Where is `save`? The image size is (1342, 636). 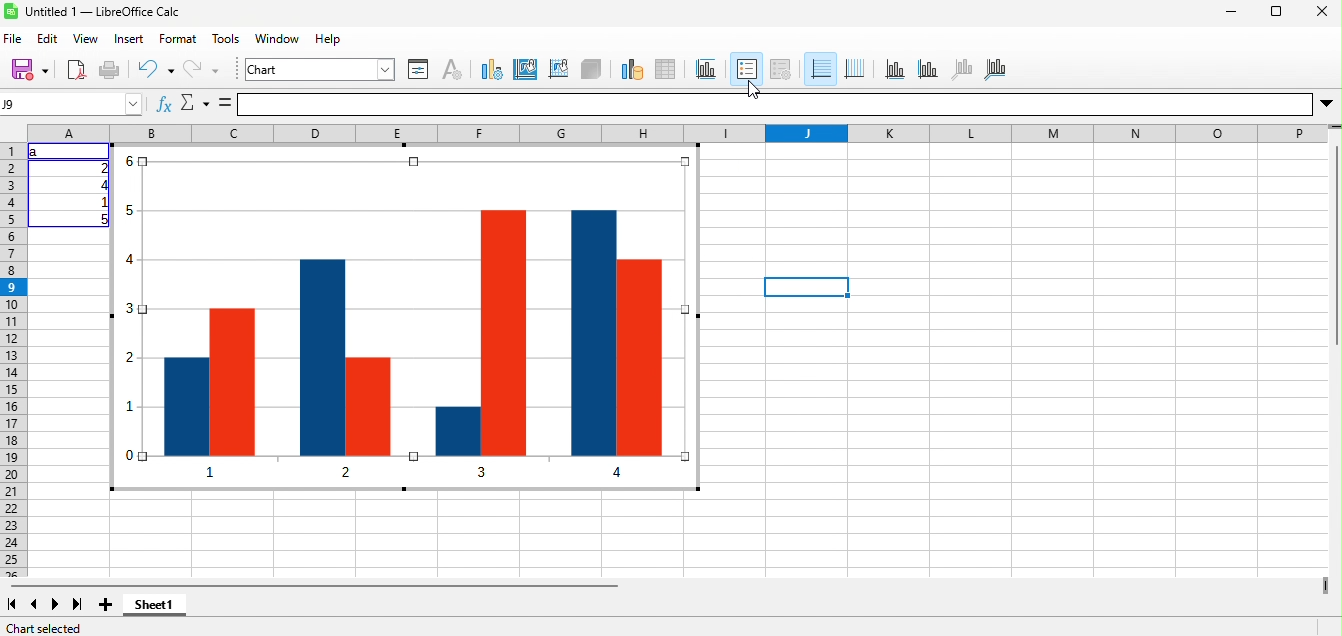
save is located at coordinates (28, 71).